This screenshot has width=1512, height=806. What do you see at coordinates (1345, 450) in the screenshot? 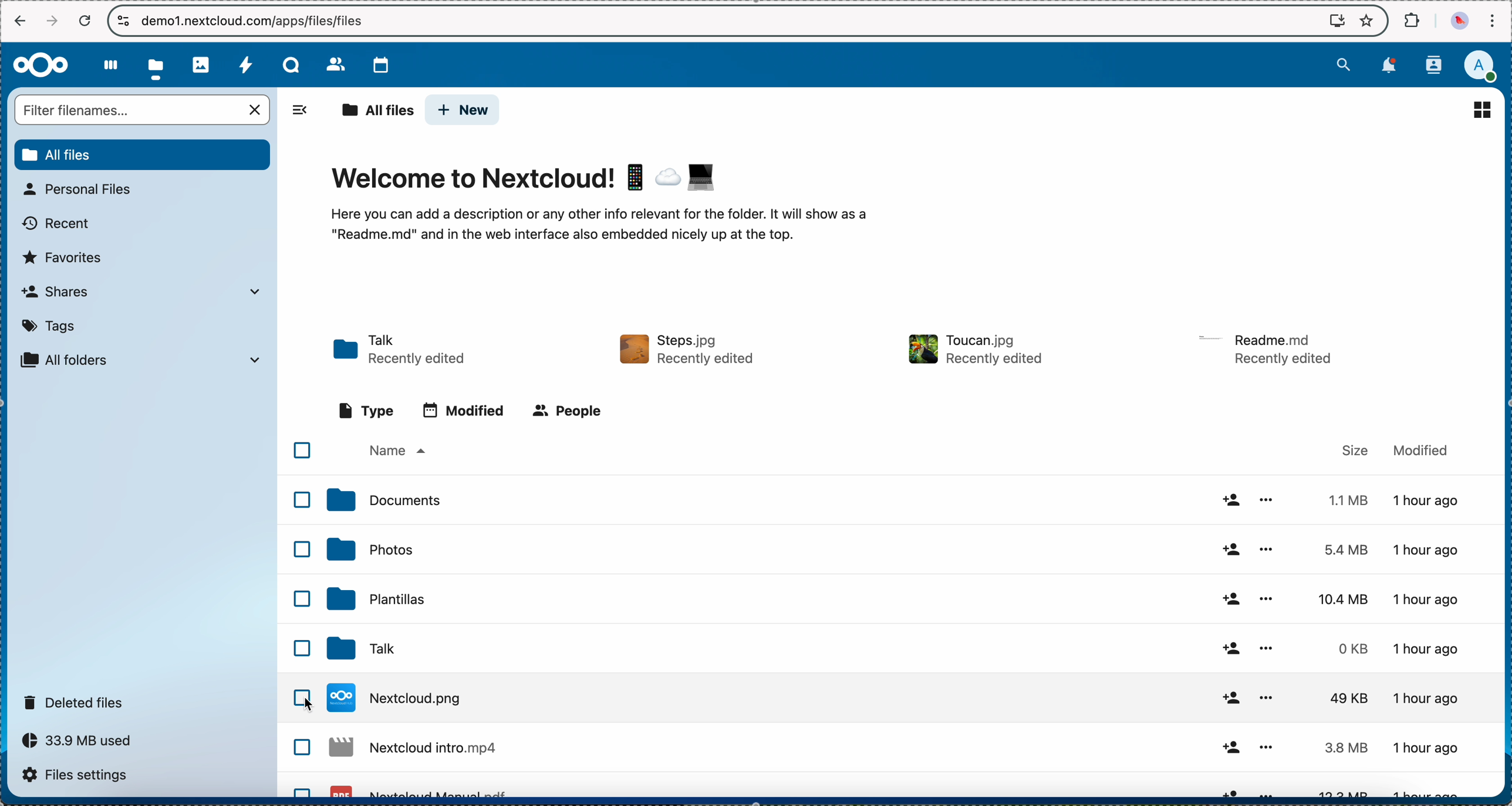
I see `size` at bounding box center [1345, 450].